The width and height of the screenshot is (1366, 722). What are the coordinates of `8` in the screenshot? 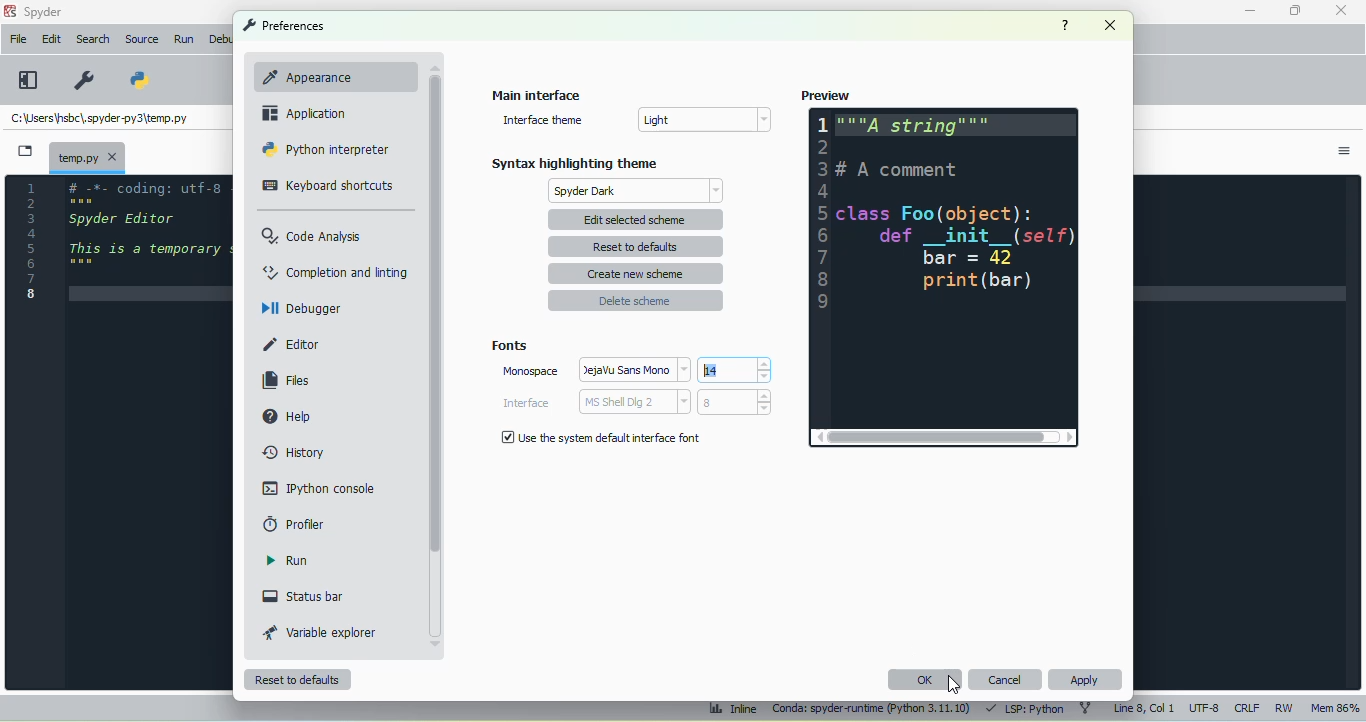 It's located at (734, 402).